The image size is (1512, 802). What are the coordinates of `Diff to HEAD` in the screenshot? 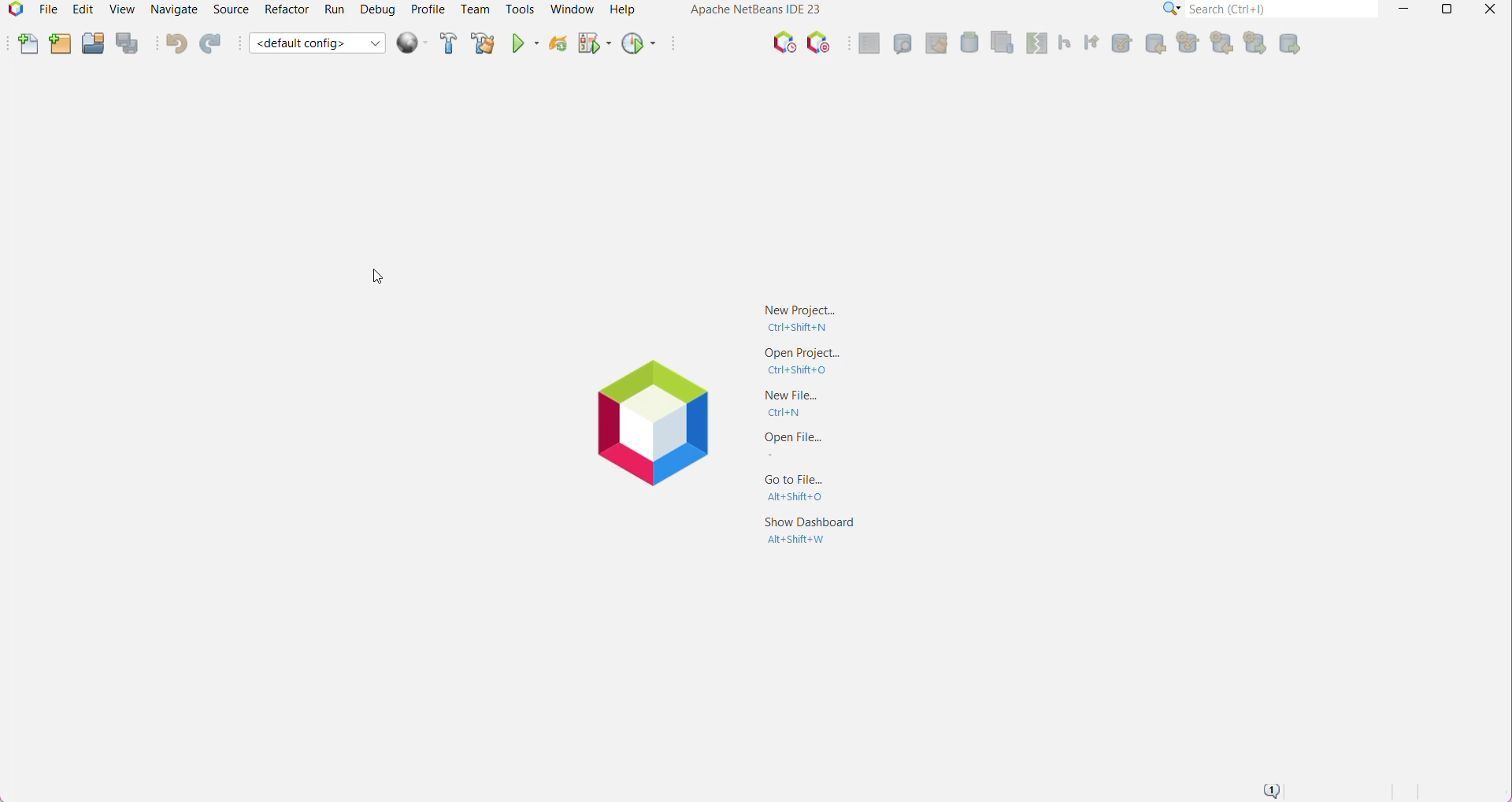 It's located at (1035, 43).